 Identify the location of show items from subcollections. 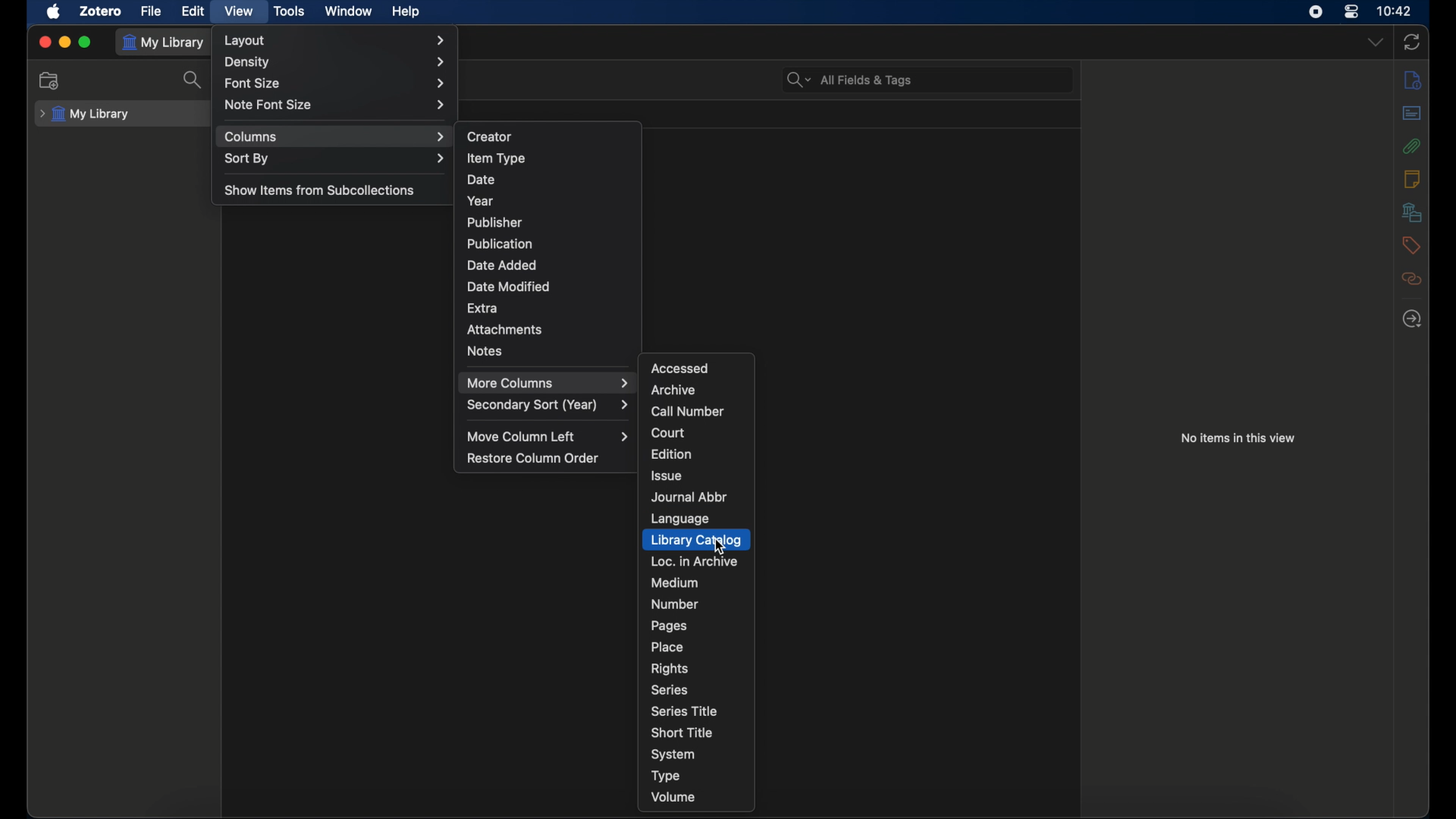
(319, 191).